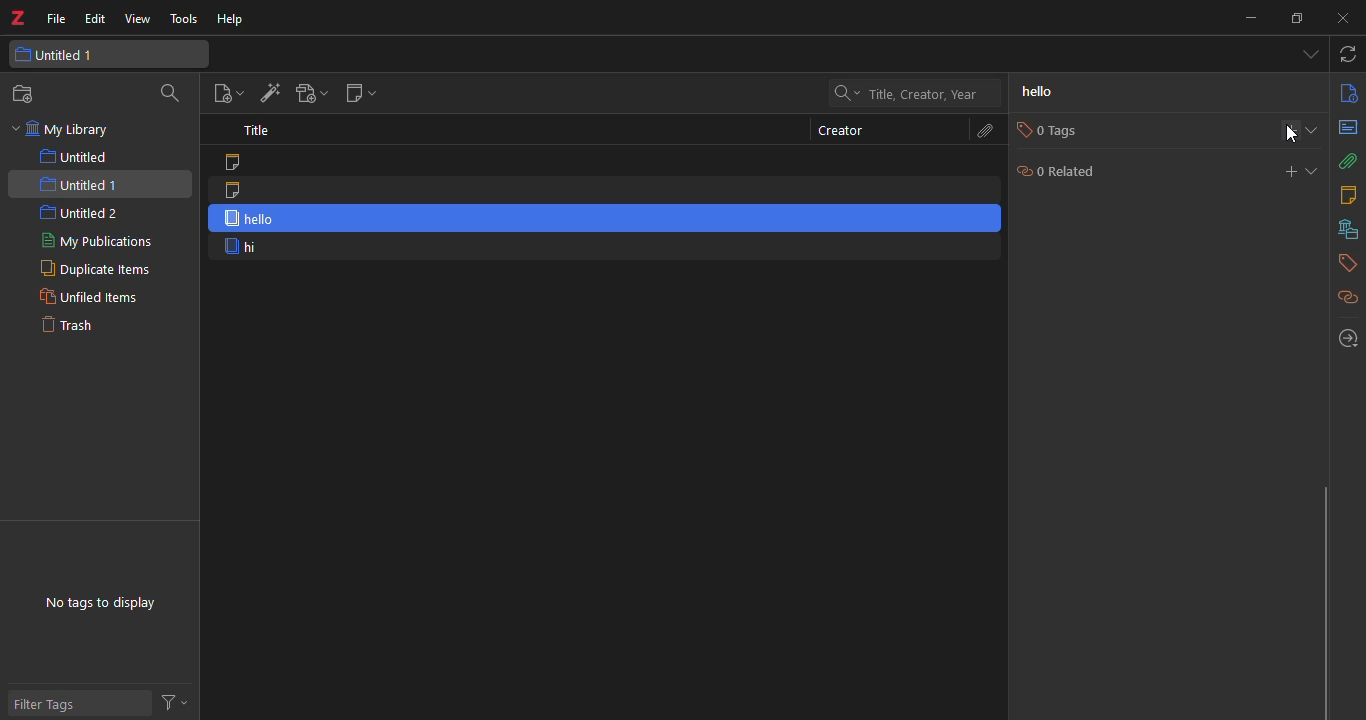 This screenshot has height=720, width=1366. What do you see at coordinates (983, 131) in the screenshot?
I see `attach` at bounding box center [983, 131].